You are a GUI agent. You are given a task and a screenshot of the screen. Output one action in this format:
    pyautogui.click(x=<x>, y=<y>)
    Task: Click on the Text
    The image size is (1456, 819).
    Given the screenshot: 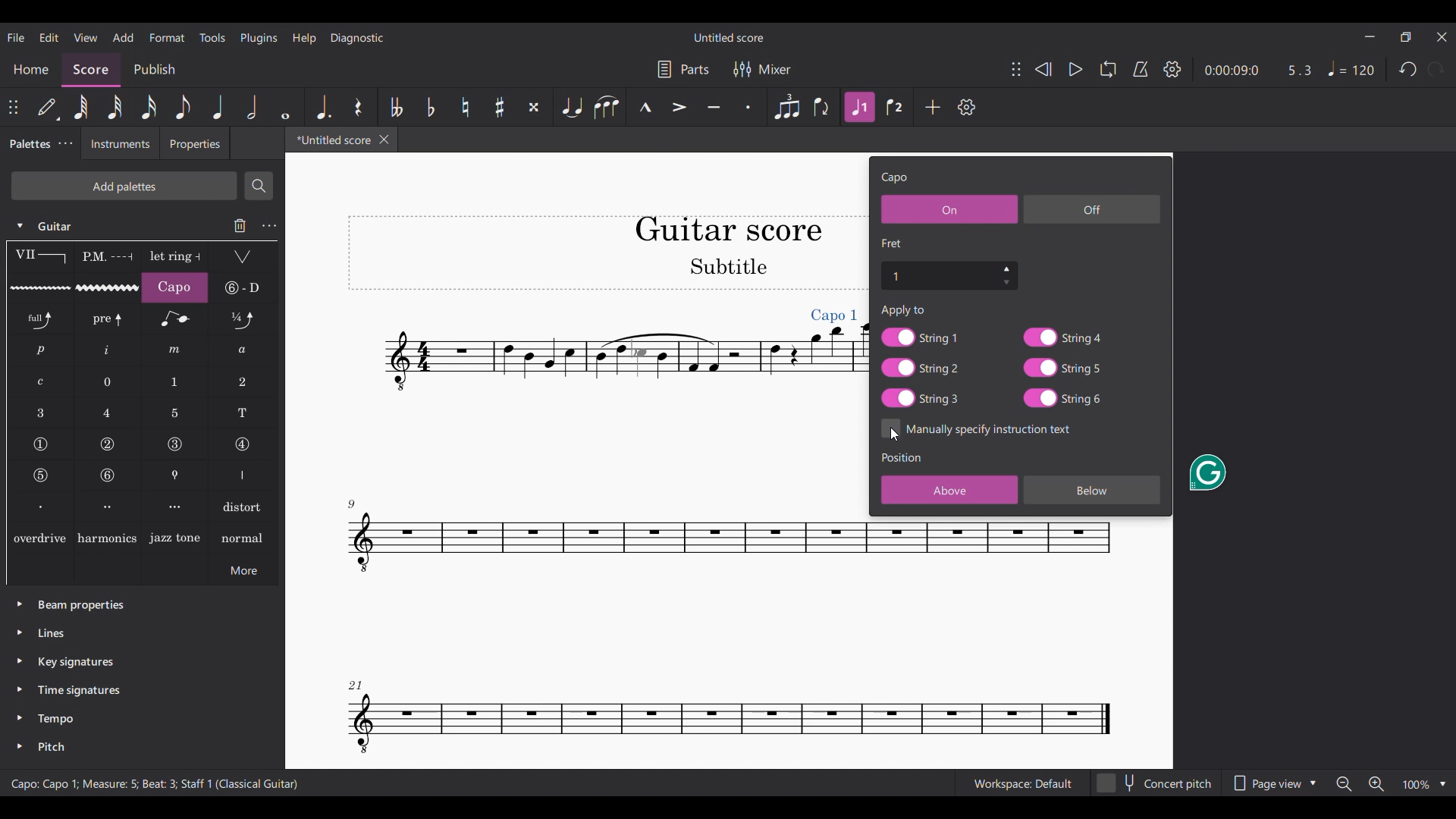 What is the action you would take?
    pyautogui.click(x=904, y=310)
    